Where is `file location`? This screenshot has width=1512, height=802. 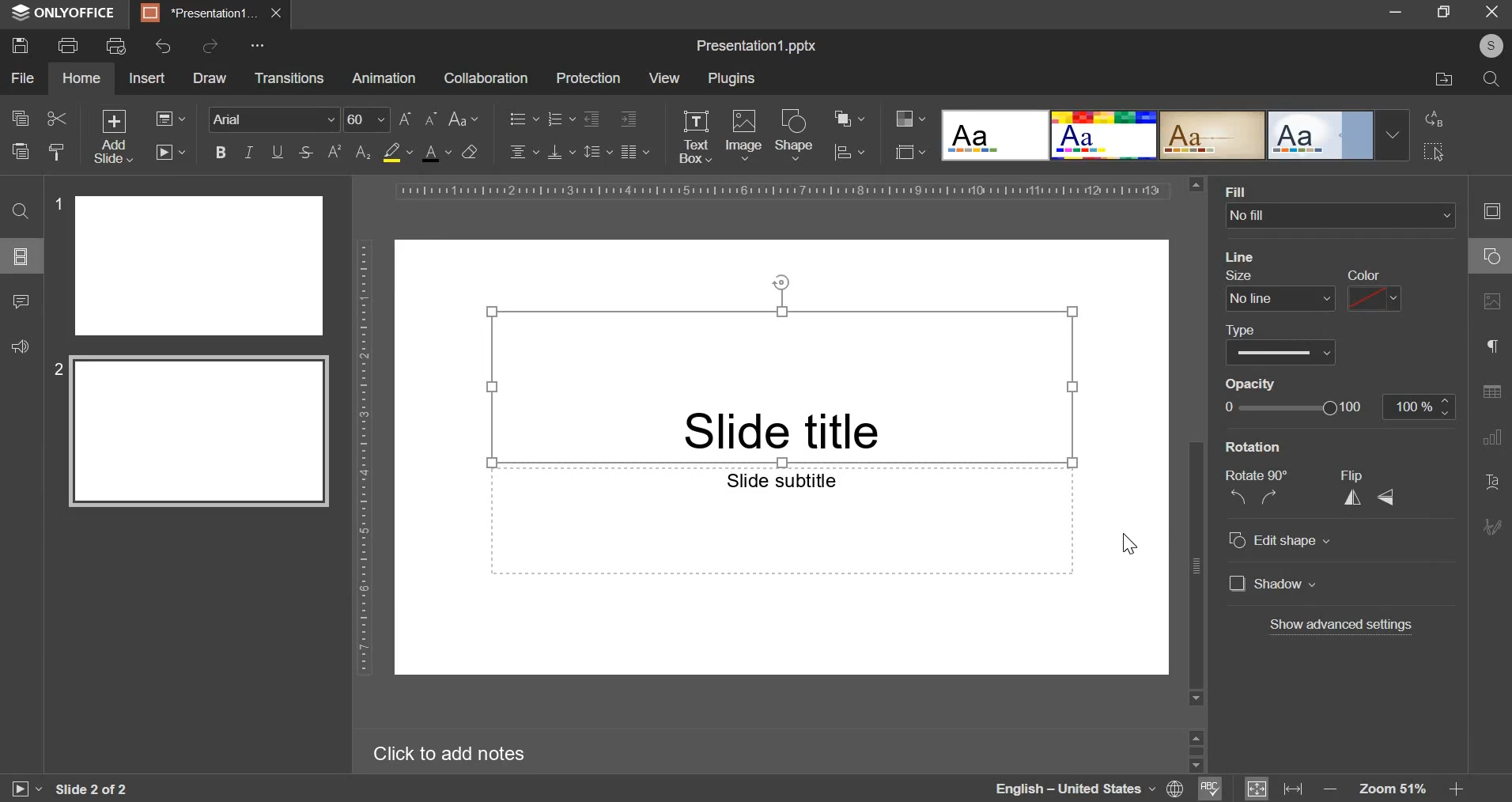
file location is located at coordinates (1445, 80).